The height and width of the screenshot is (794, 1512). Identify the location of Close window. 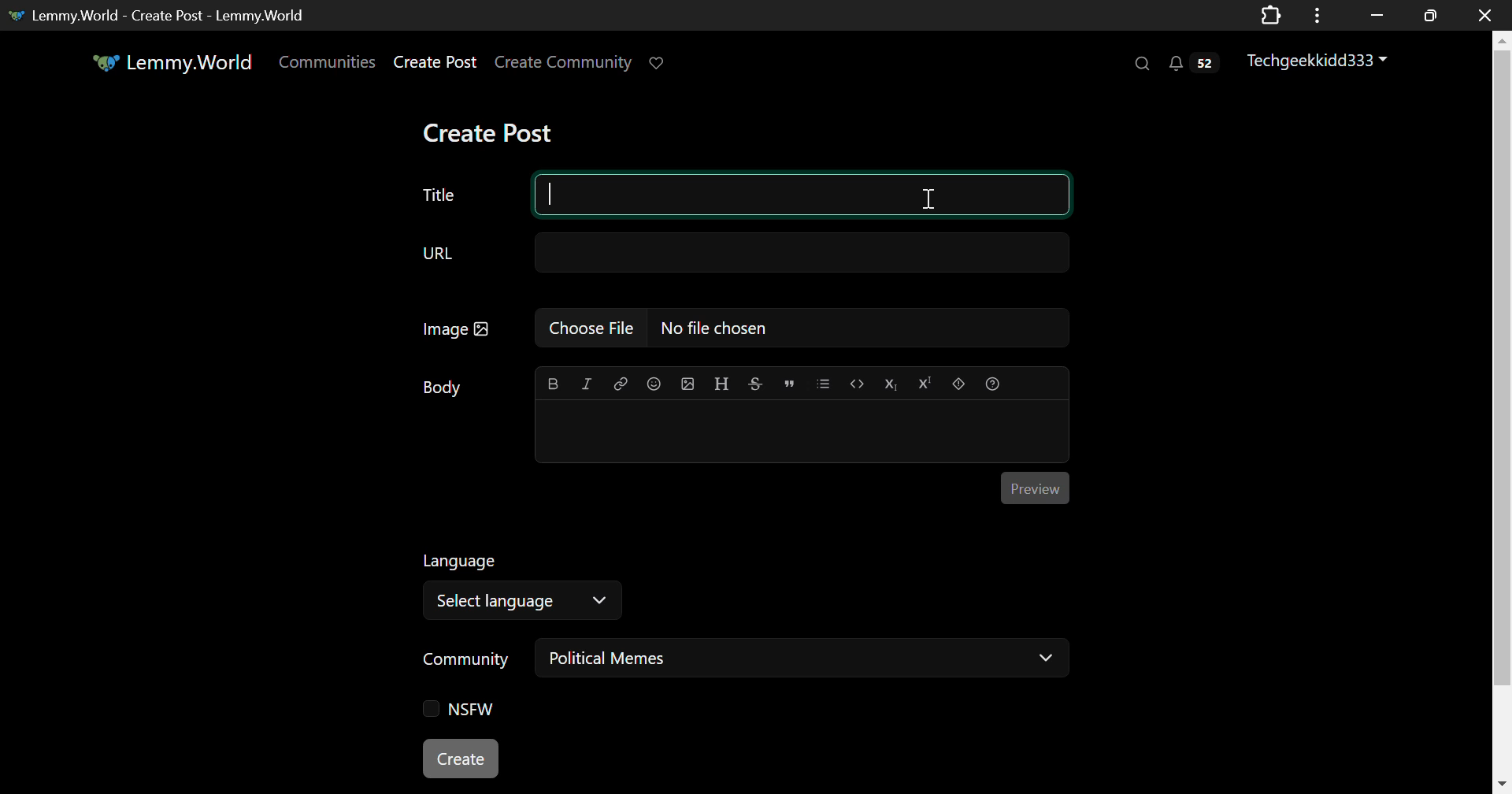
(1487, 14).